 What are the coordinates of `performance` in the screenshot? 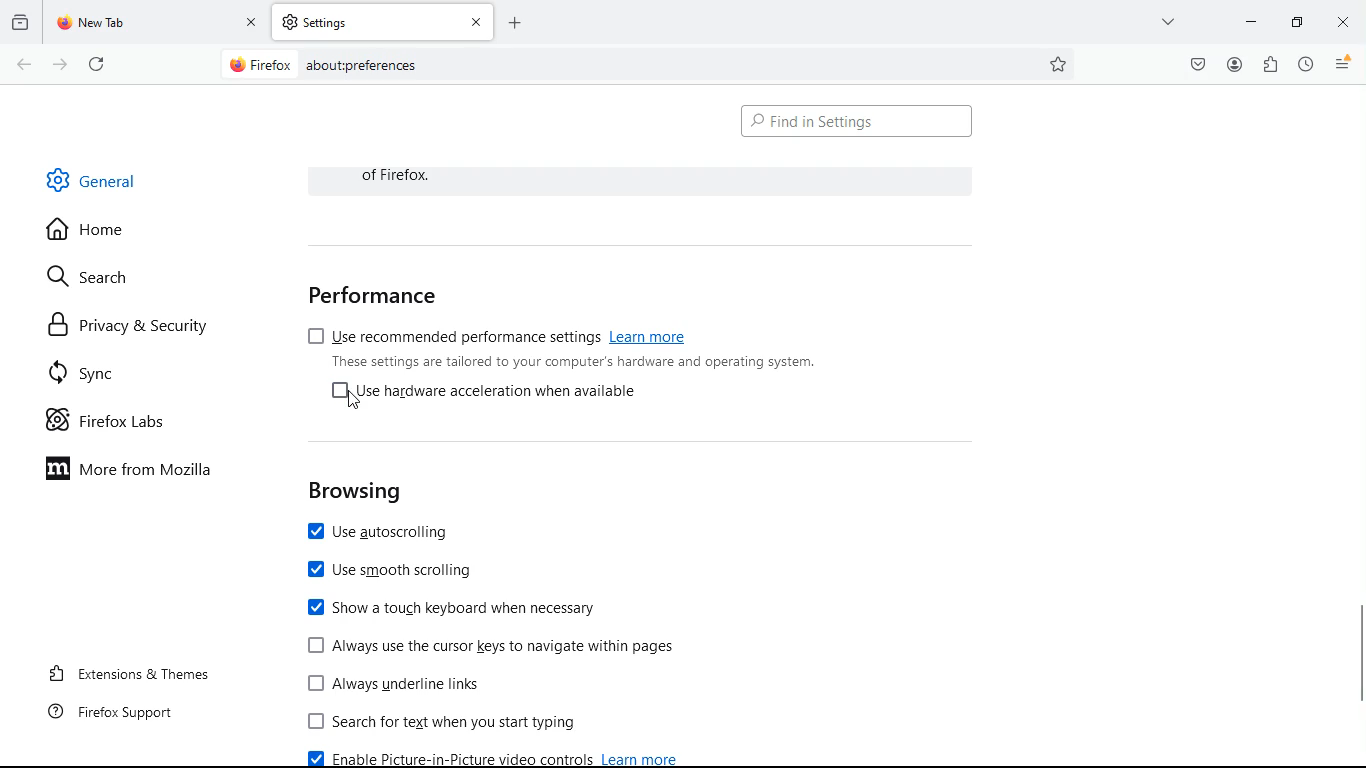 It's located at (374, 295).